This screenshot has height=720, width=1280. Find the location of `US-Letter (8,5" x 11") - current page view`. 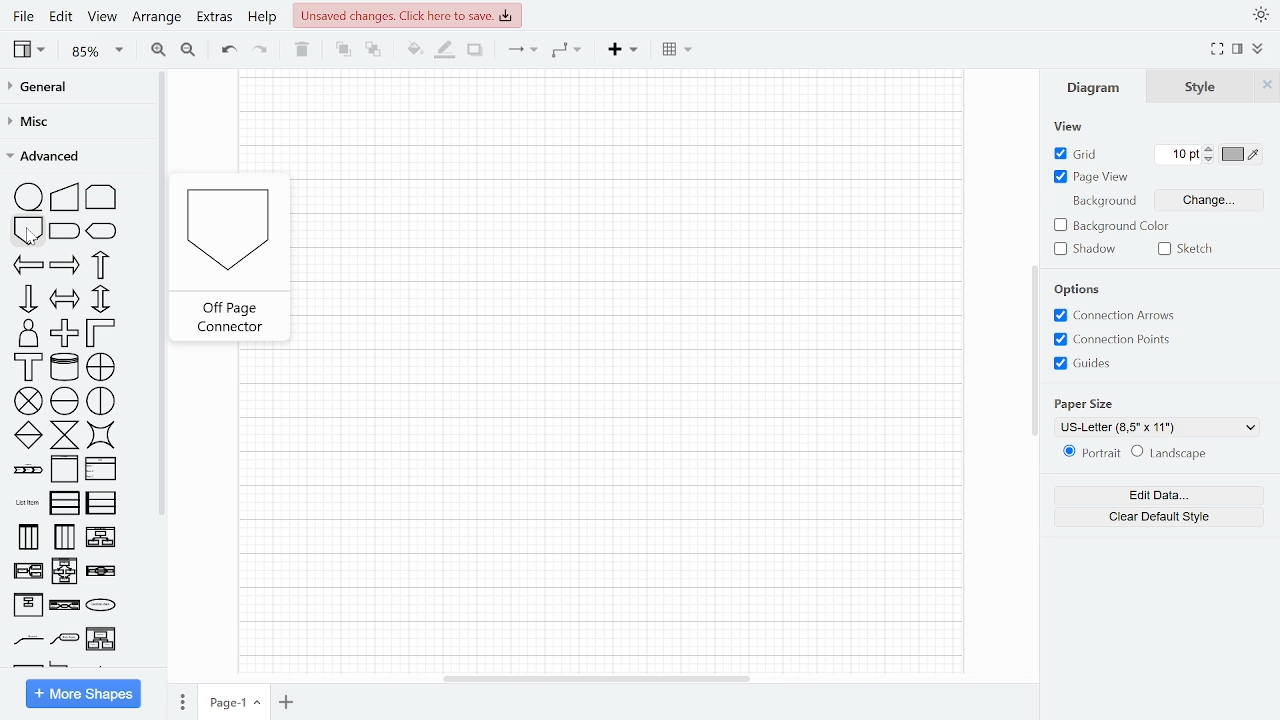

US-Letter (8,5" x 11") - current page view is located at coordinates (1159, 428).